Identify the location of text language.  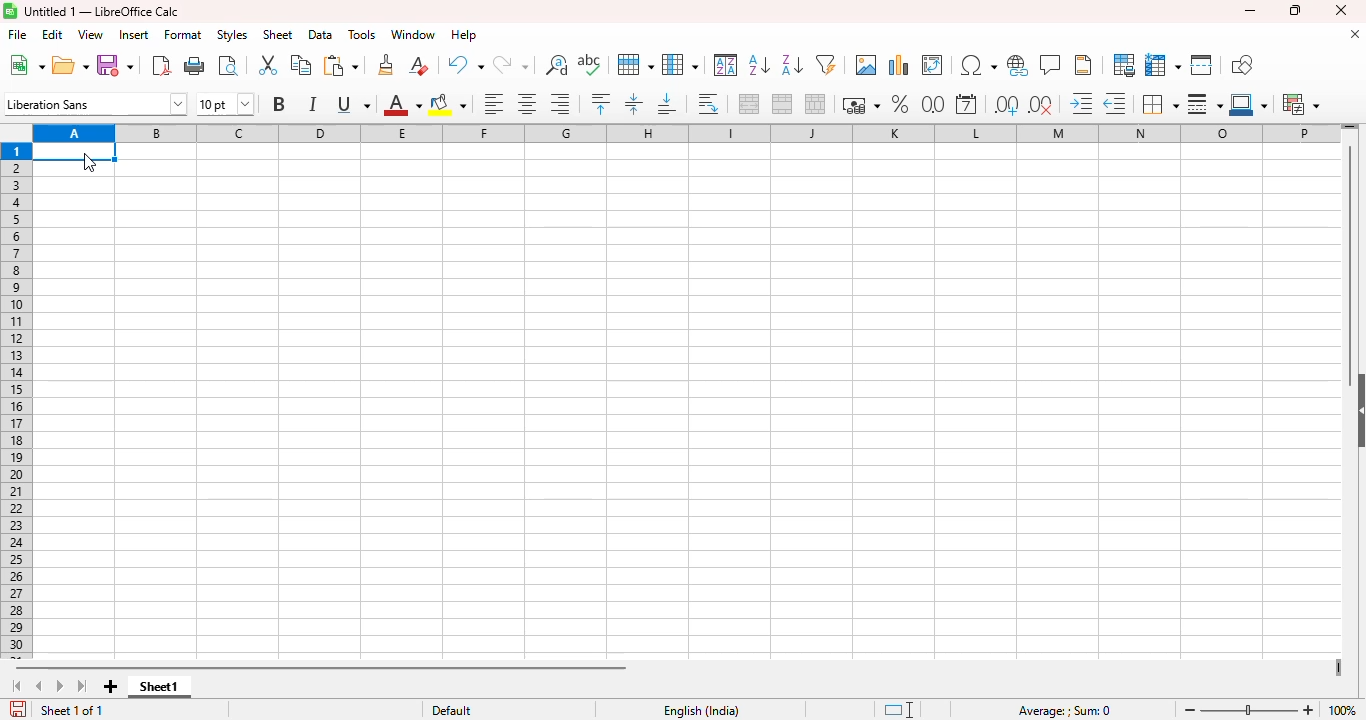
(700, 711).